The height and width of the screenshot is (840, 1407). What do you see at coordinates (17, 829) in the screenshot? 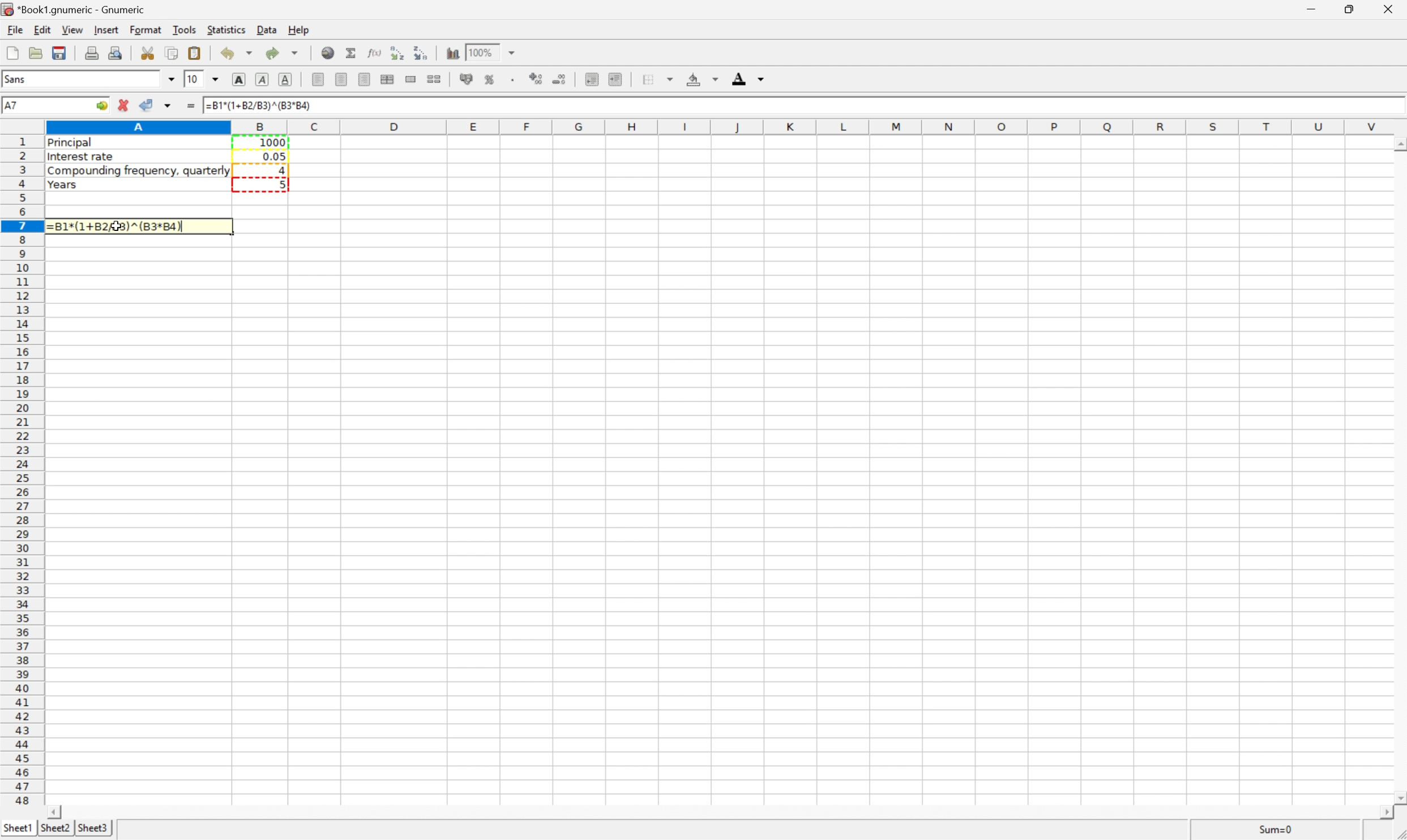
I see `sheet1` at bounding box center [17, 829].